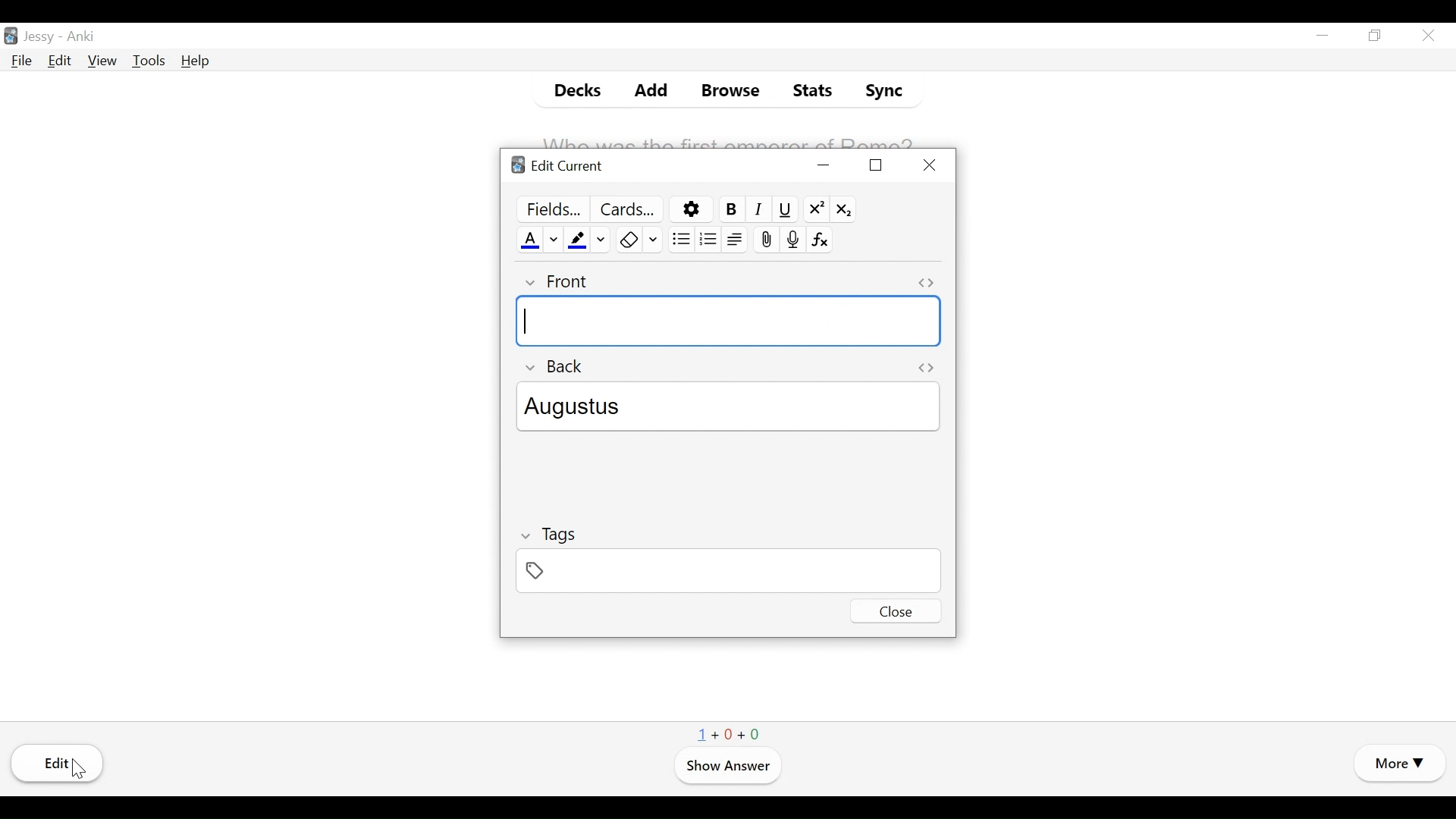  I want to click on Augustus, so click(735, 404).